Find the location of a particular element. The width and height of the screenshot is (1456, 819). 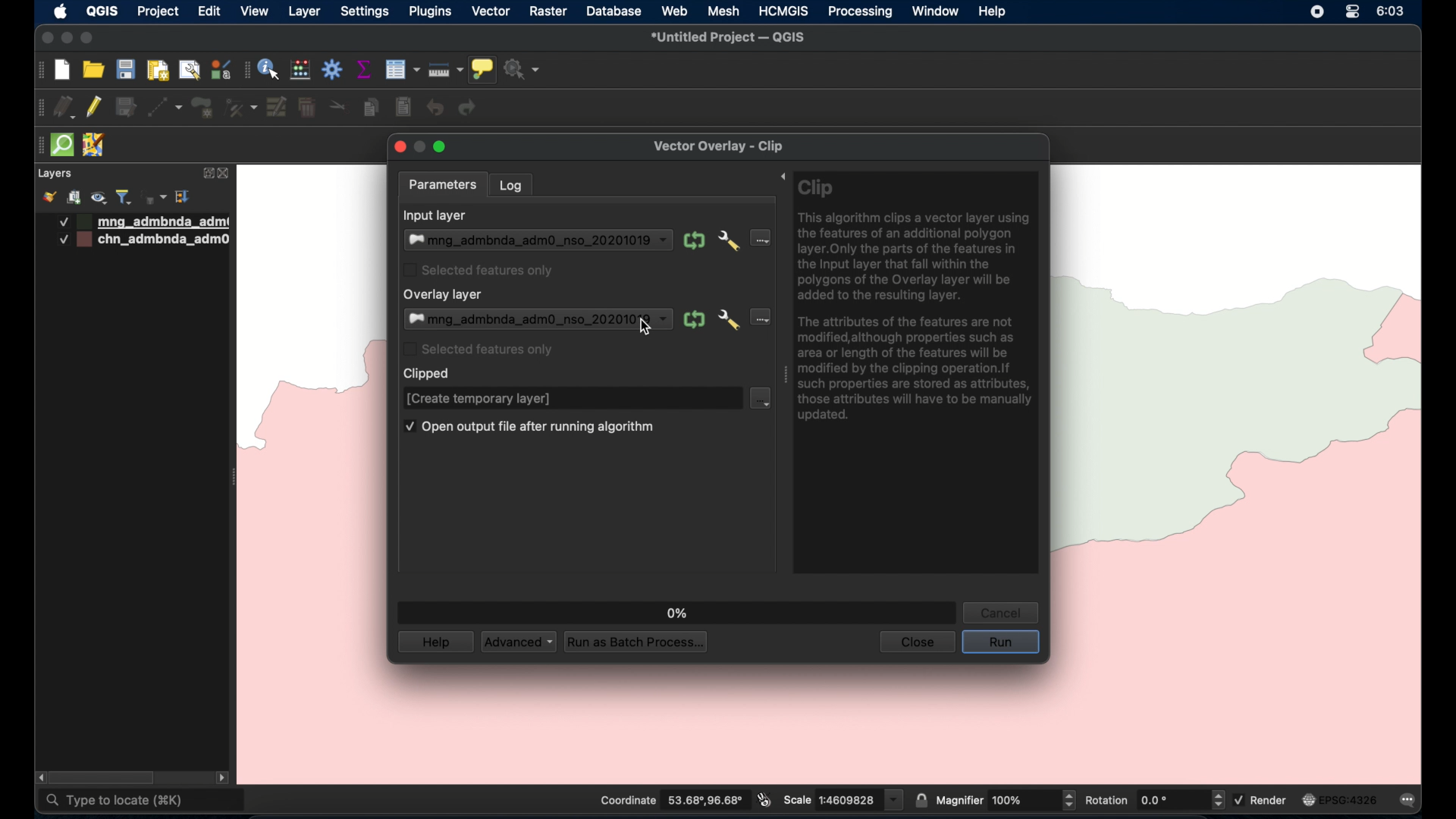

open attribute table is located at coordinates (402, 70).